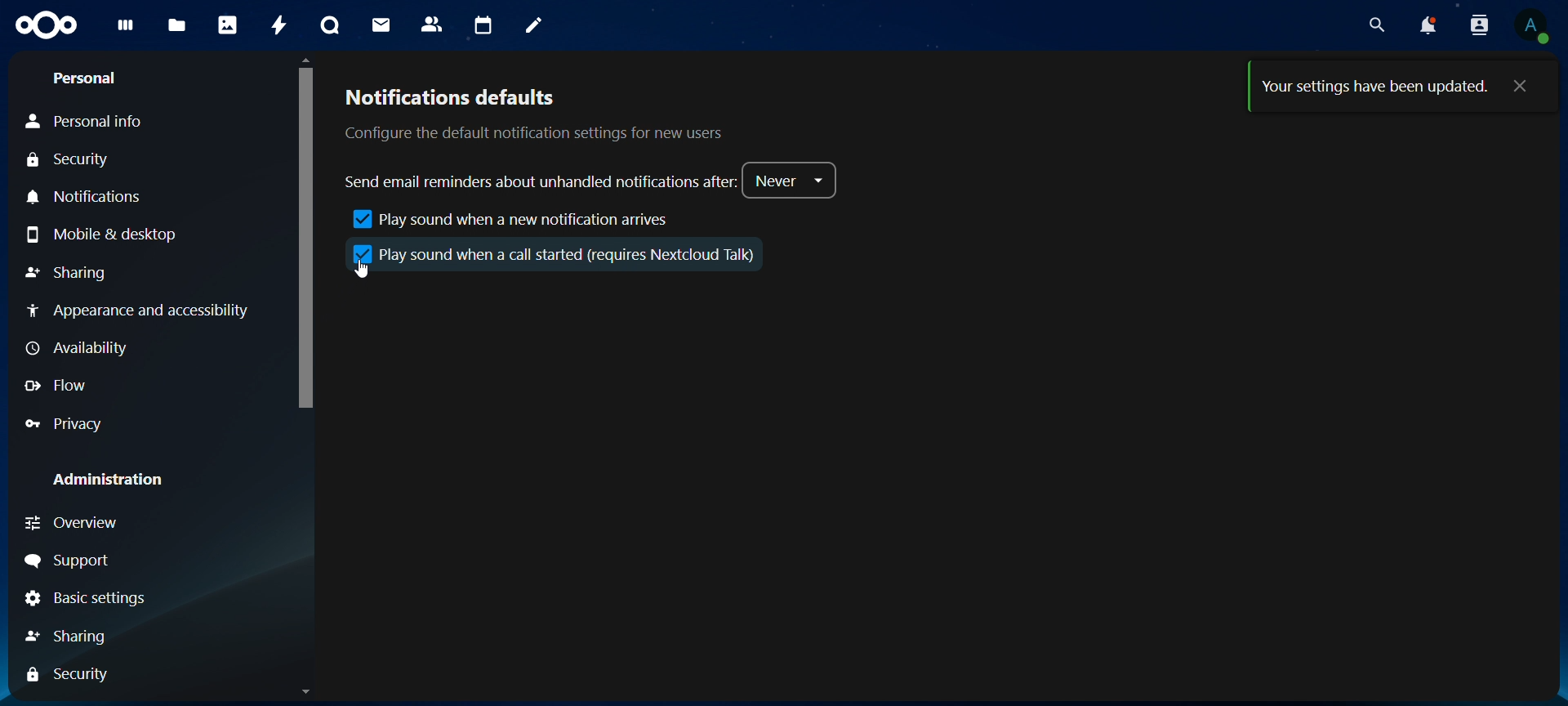 The image size is (1568, 706). What do you see at coordinates (501, 219) in the screenshot?
I see `play sound when a new notification arrives` at bounding box center [501, 219].